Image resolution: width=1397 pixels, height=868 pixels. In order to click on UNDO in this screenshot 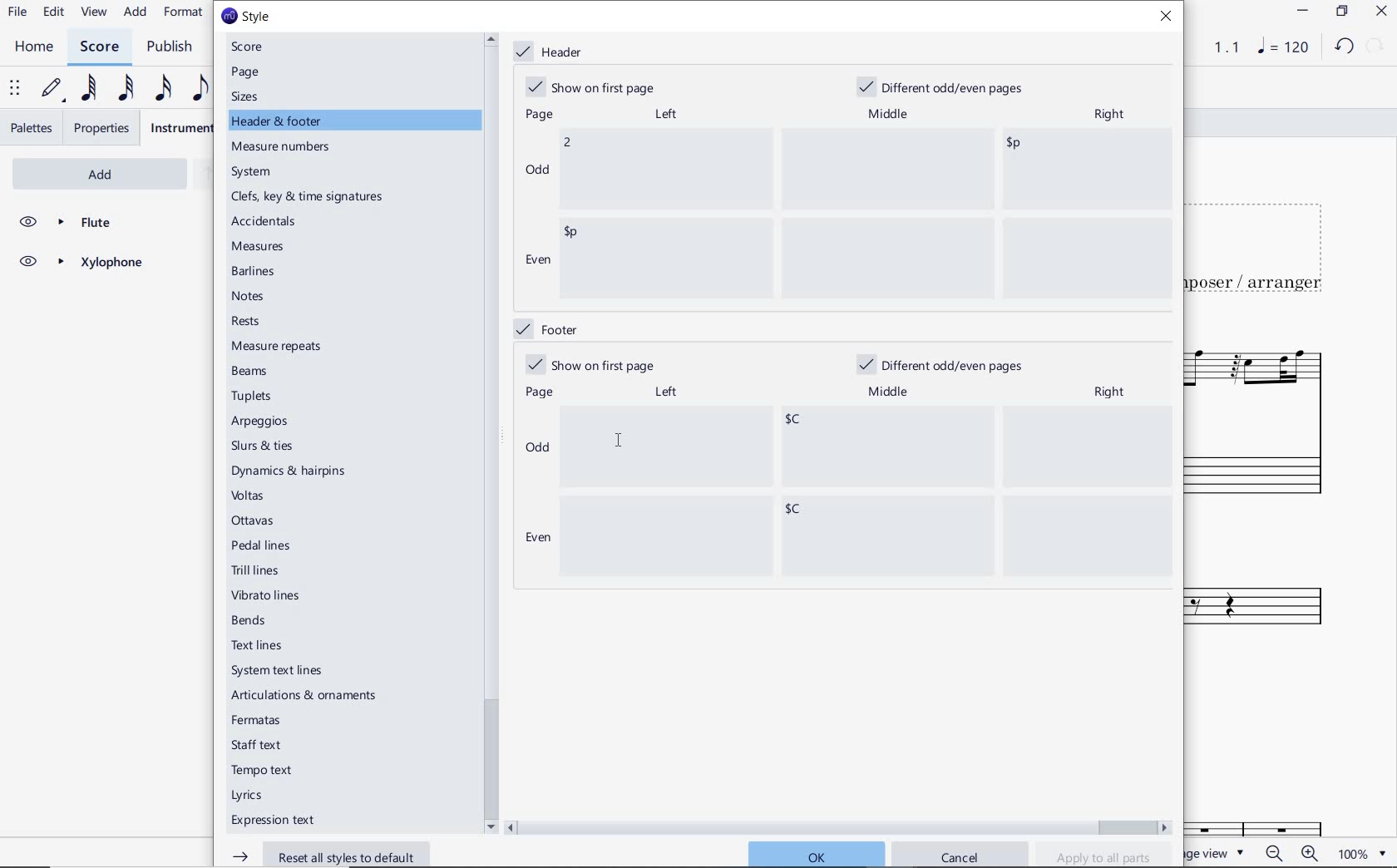, I will do `click(1343, 47)`.